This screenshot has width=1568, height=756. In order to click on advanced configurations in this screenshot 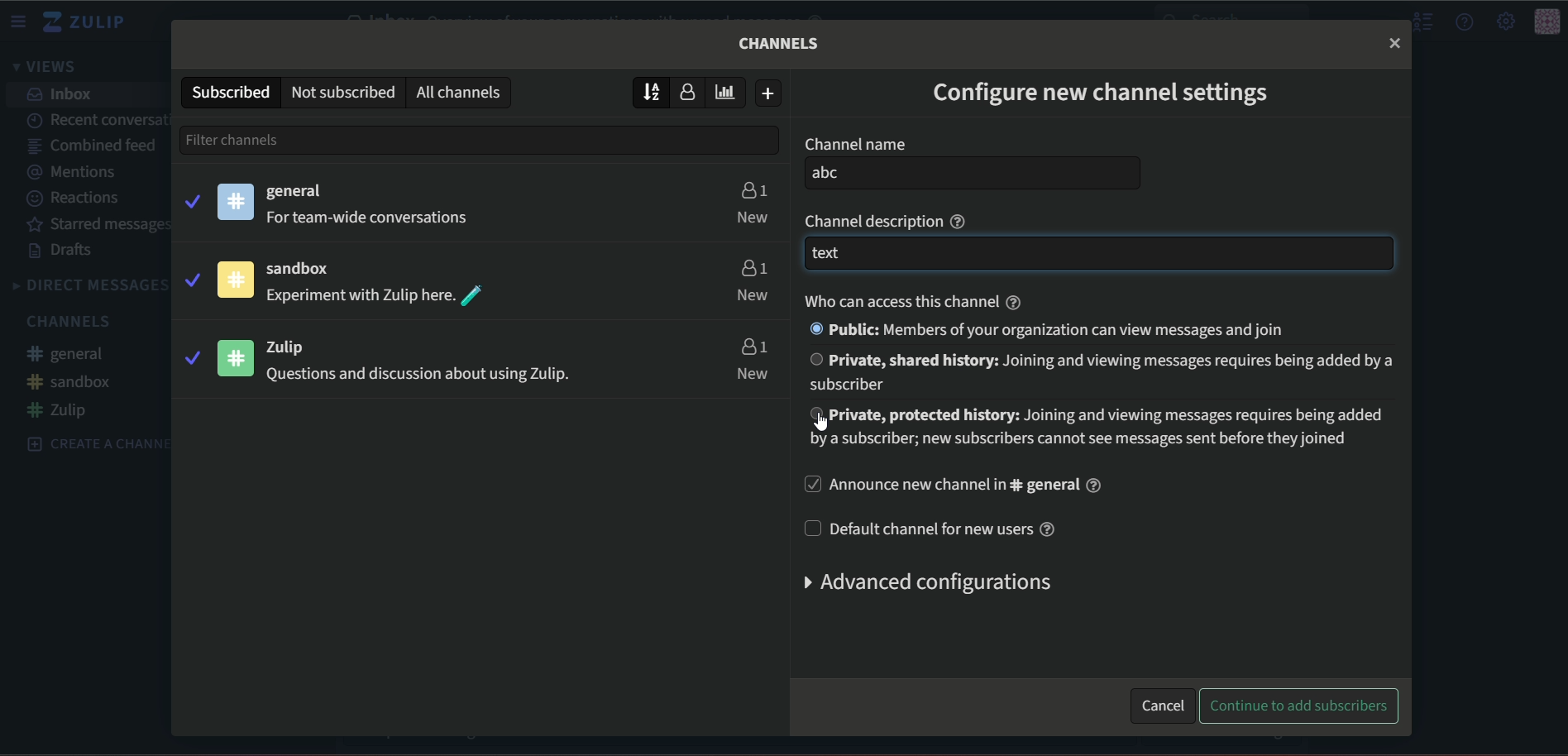, I will do `click(923, 582)`.